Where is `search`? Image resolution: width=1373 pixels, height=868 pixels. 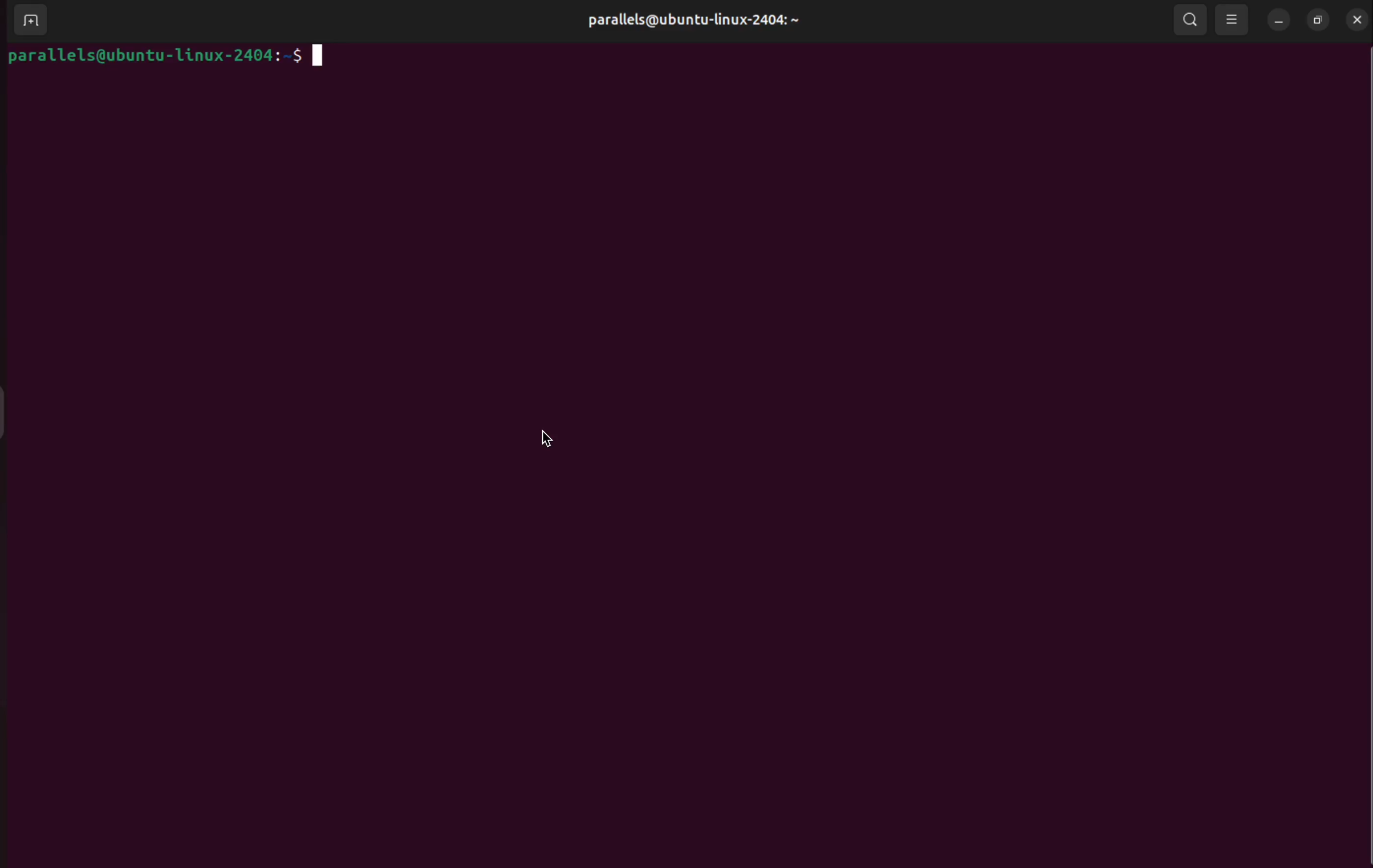 search is located at coordinates (1189, 22).